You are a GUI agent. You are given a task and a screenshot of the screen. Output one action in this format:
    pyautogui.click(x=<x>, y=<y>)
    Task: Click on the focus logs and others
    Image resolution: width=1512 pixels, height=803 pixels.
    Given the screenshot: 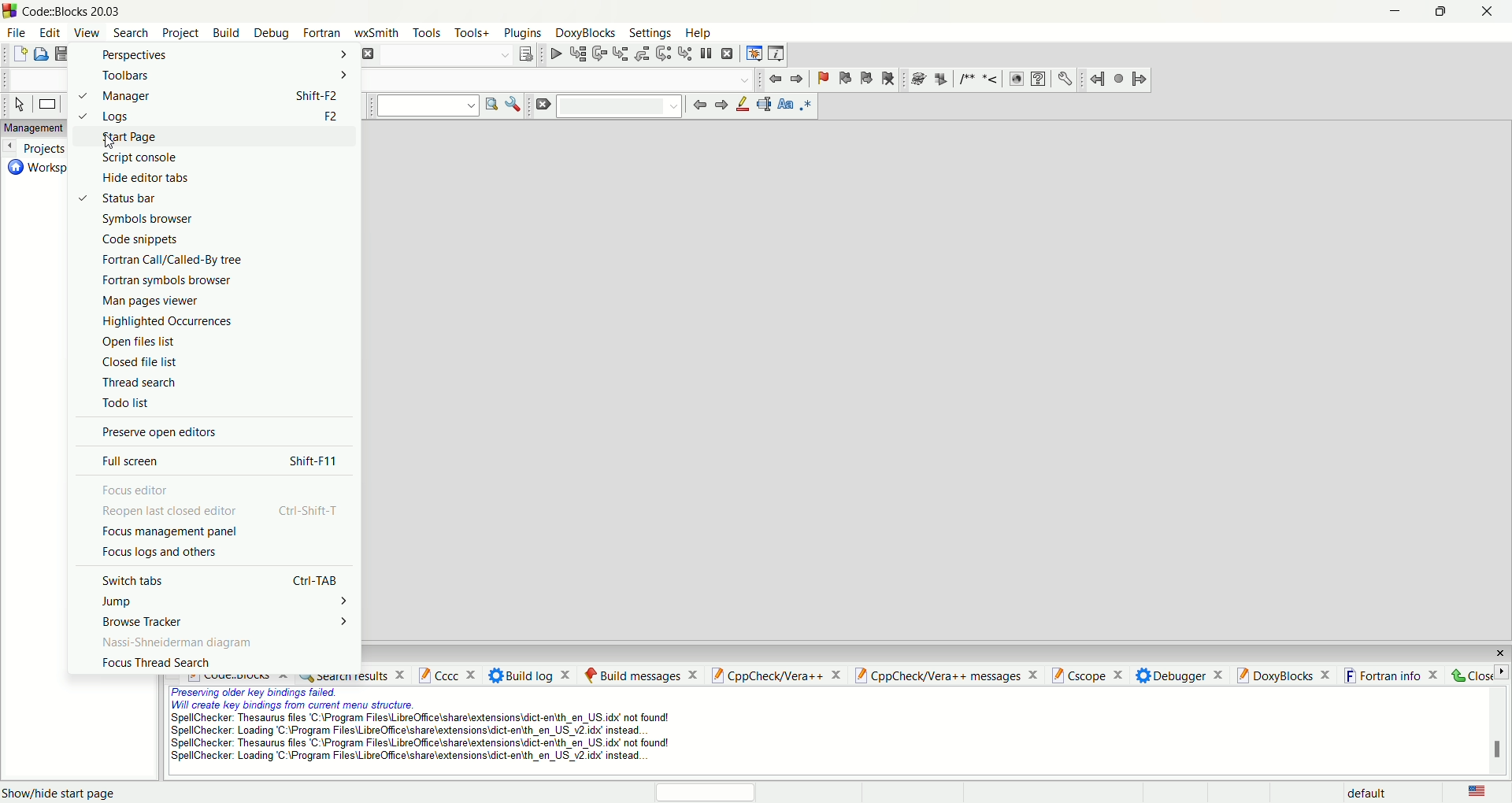 What is the action you would take?
    pyautogui.click(x=164, y=554)
    